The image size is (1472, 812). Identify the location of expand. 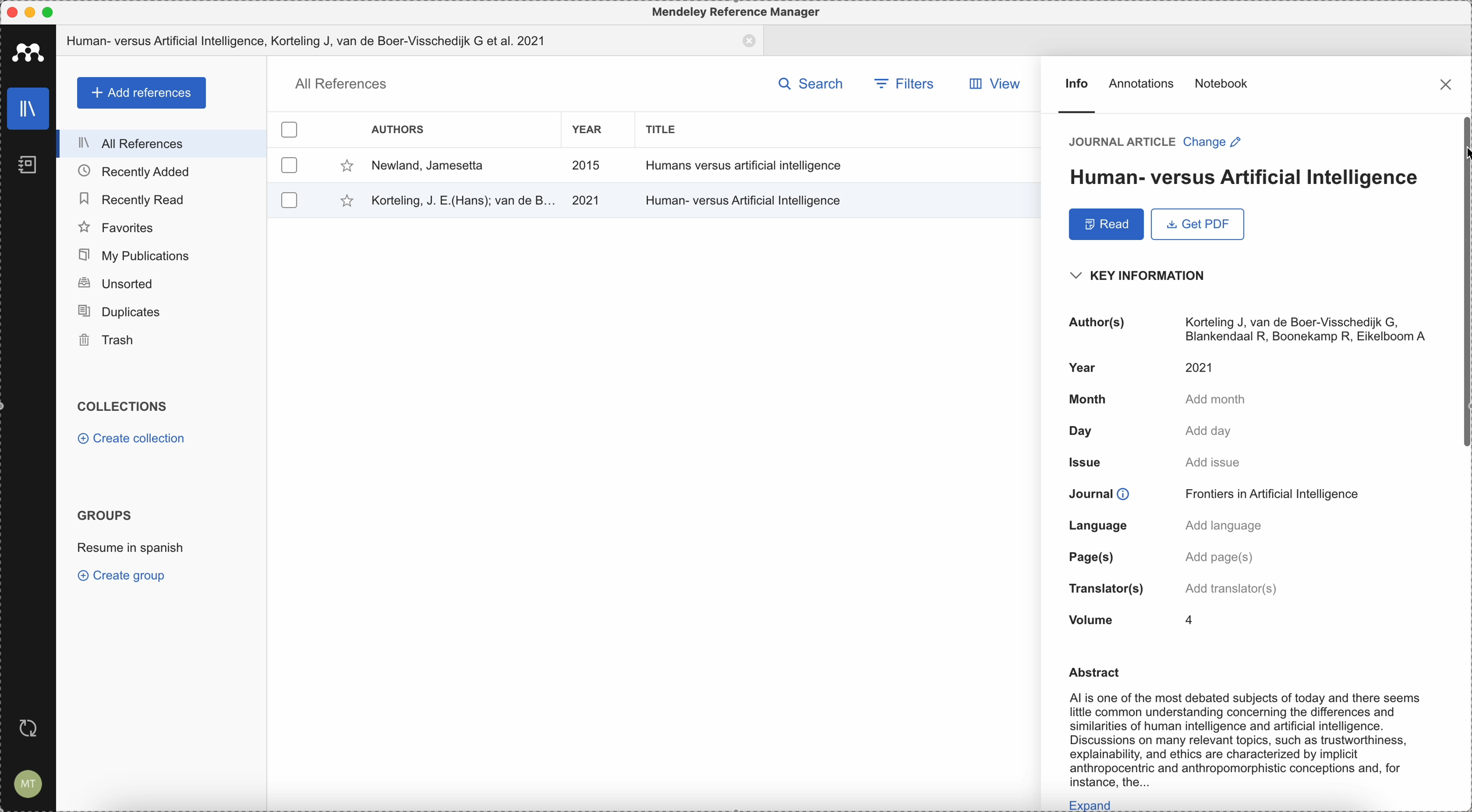
(1091, 804).